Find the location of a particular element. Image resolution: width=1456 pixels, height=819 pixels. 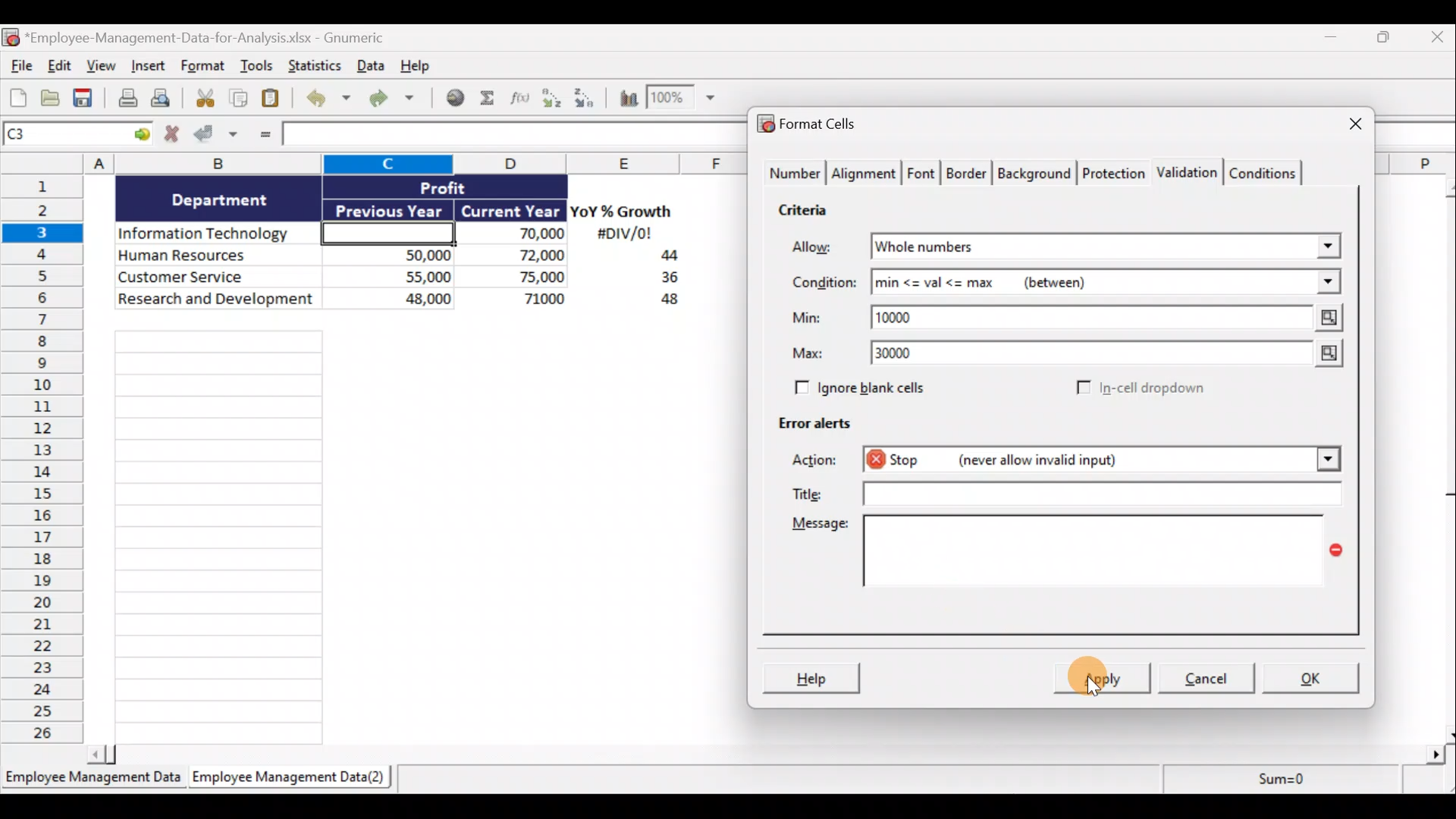

Print preview is located at coordinates (169, 102).